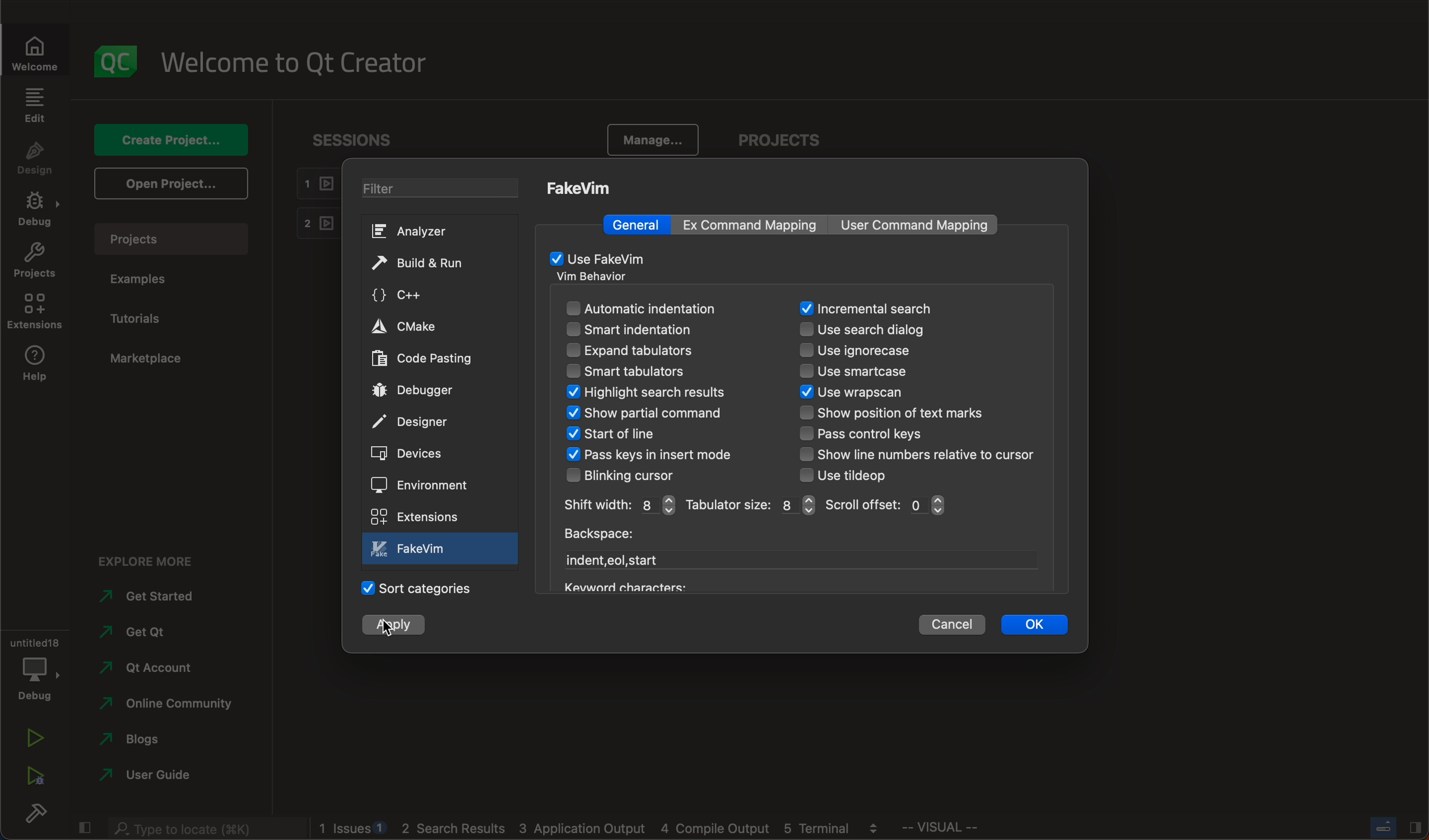  What do you see at coordinates (787, 137) in the screenshot?
I see `project` at bounding box center [787, 137].